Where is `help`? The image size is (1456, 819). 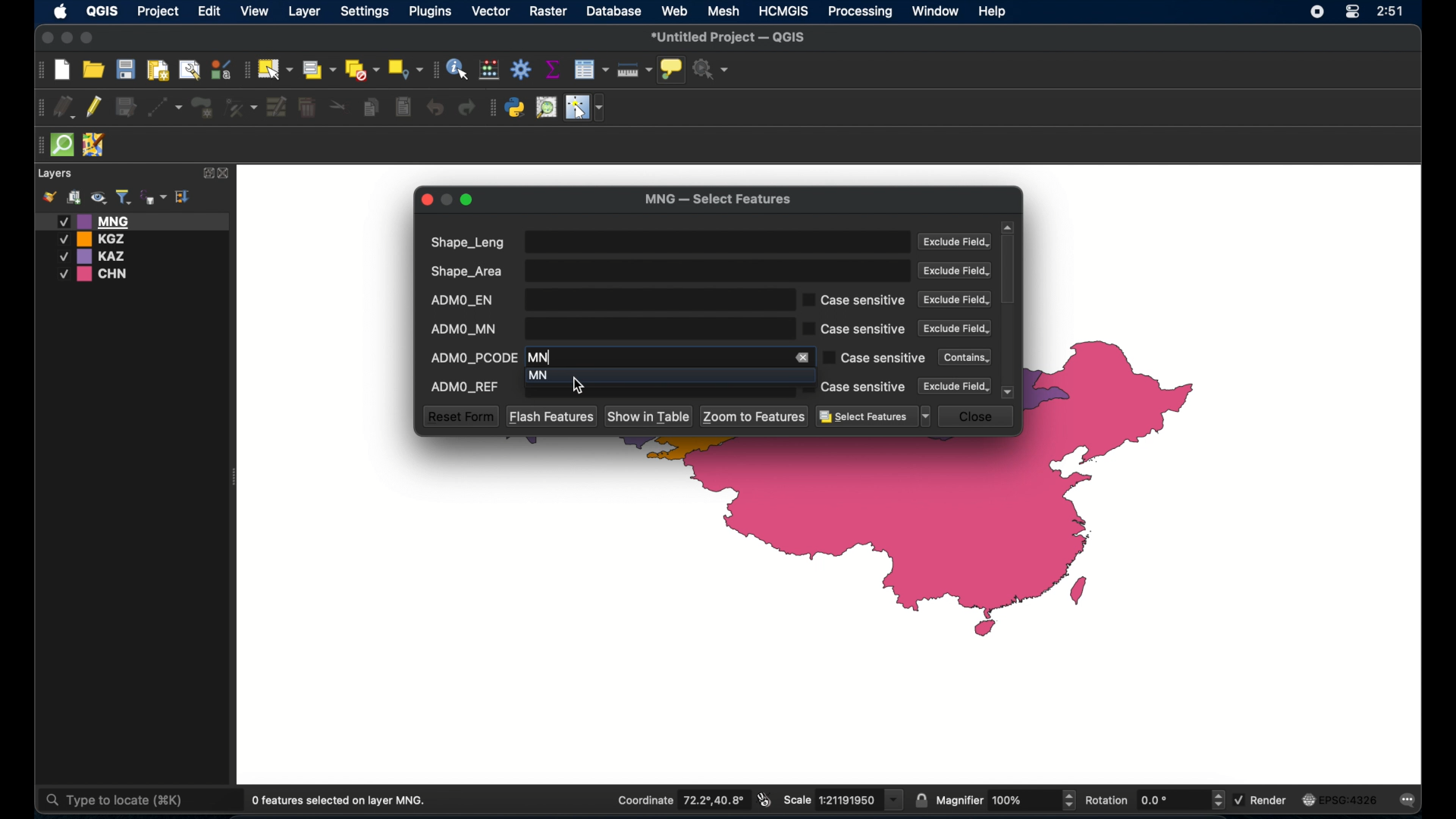 help is located at coordinates (994, 13).